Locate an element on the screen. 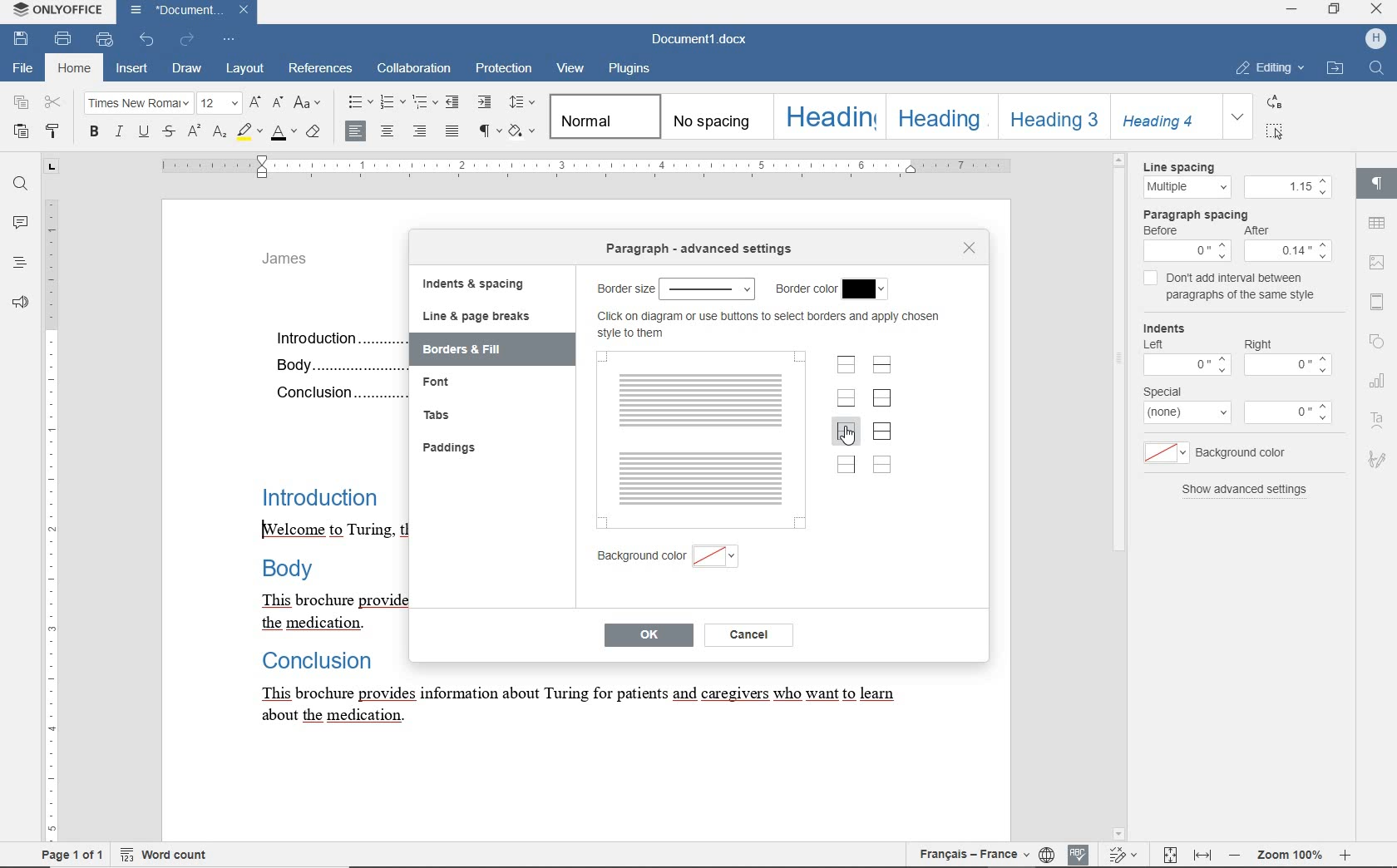 This screenshot has height=868, width=1397. signature is located at coordinates (1380, 462).